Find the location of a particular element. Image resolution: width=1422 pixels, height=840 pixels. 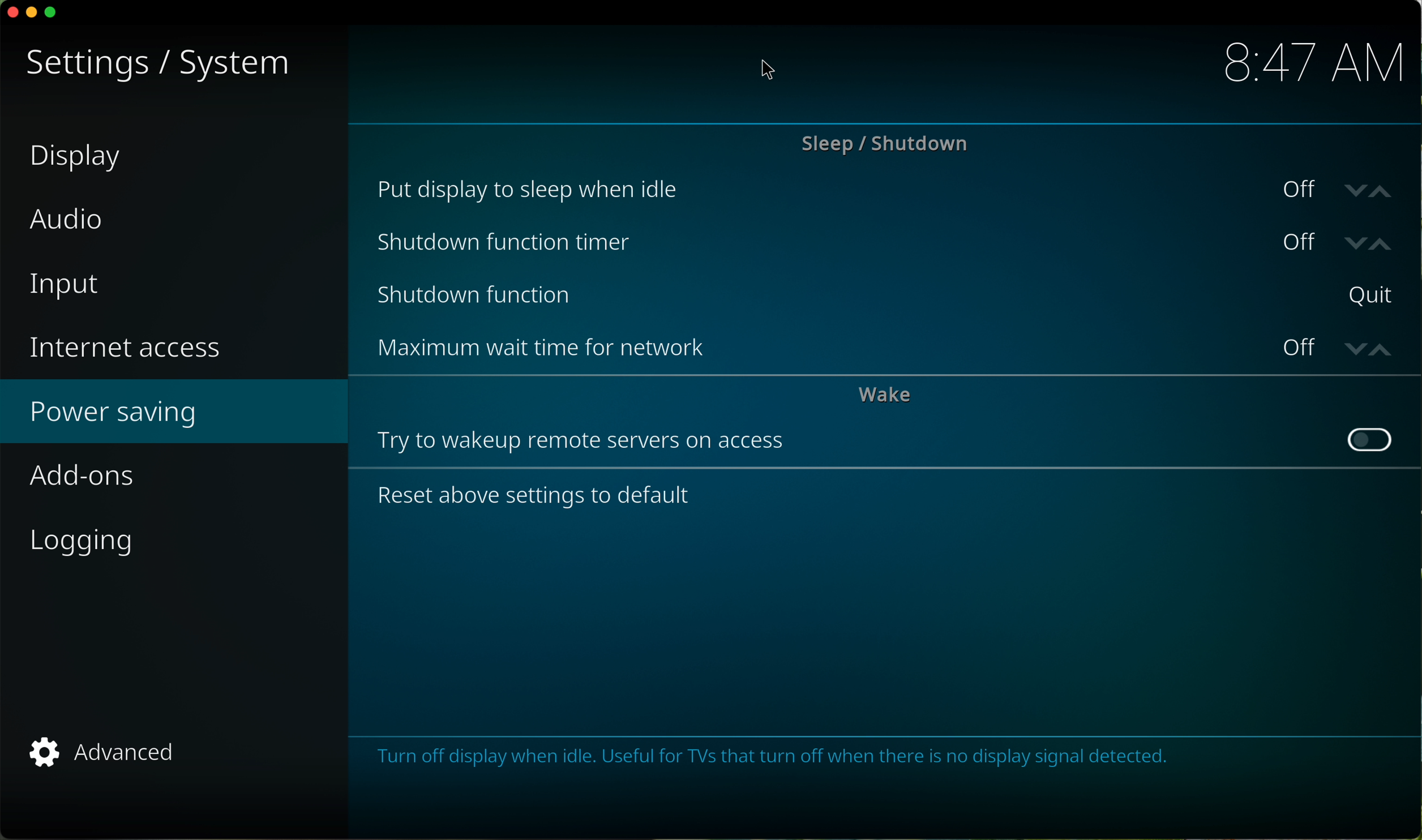

minimize is located at coordinates (33, 12).